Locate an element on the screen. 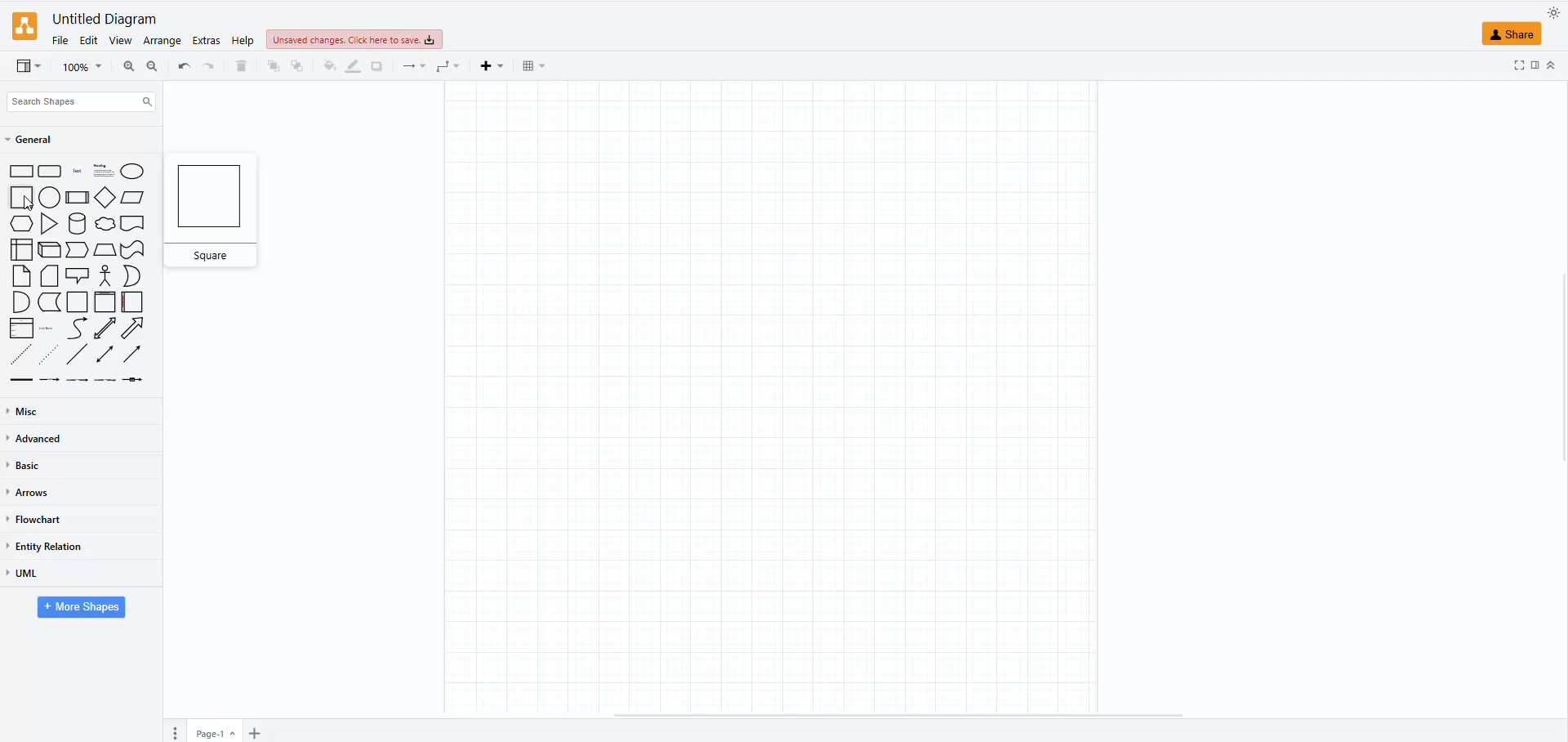 This screenshot has width=1568, height=742. card is located at coordinates (51, 277).